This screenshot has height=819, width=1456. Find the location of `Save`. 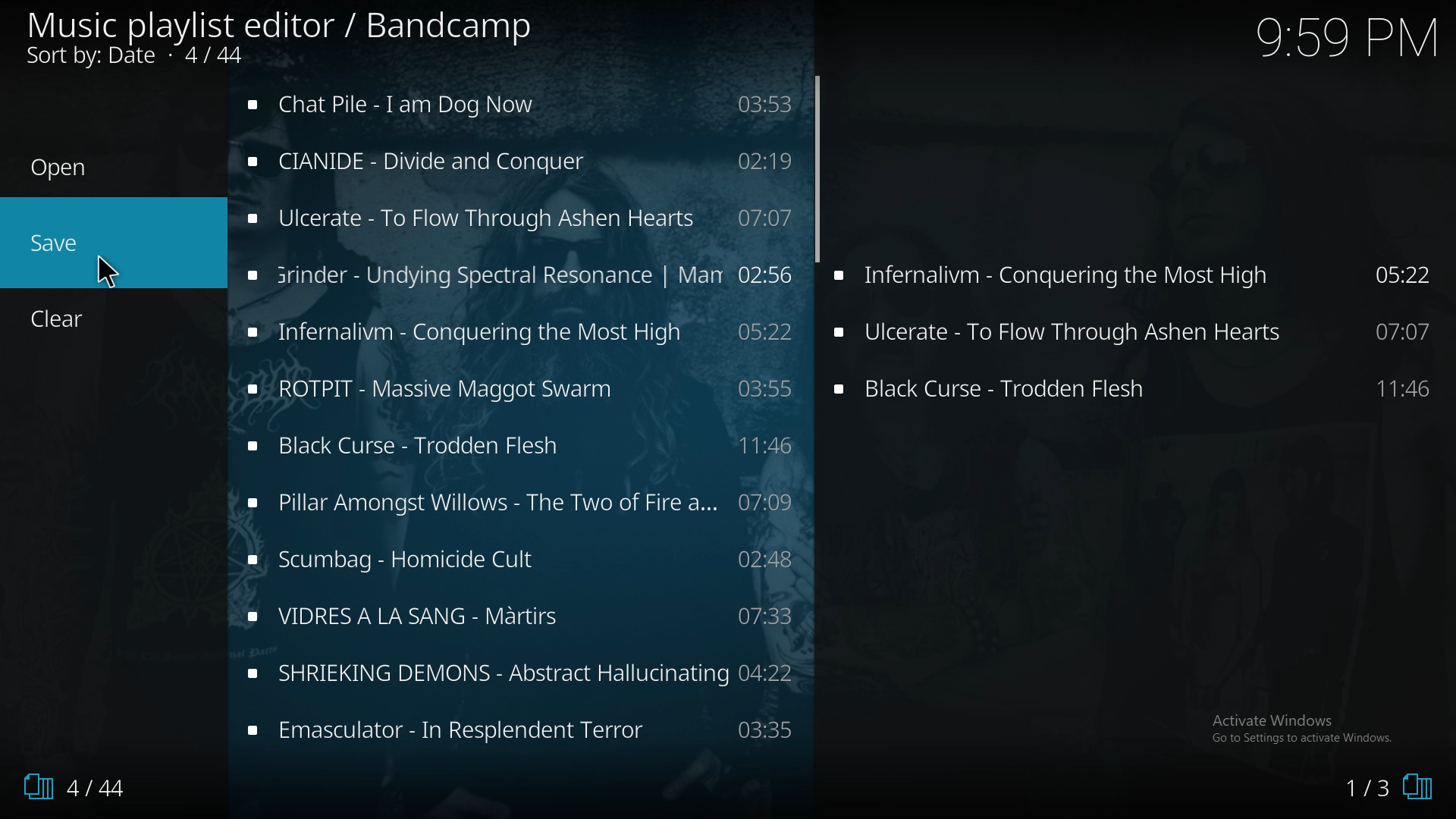

Save is located at coordinates (57, 243).